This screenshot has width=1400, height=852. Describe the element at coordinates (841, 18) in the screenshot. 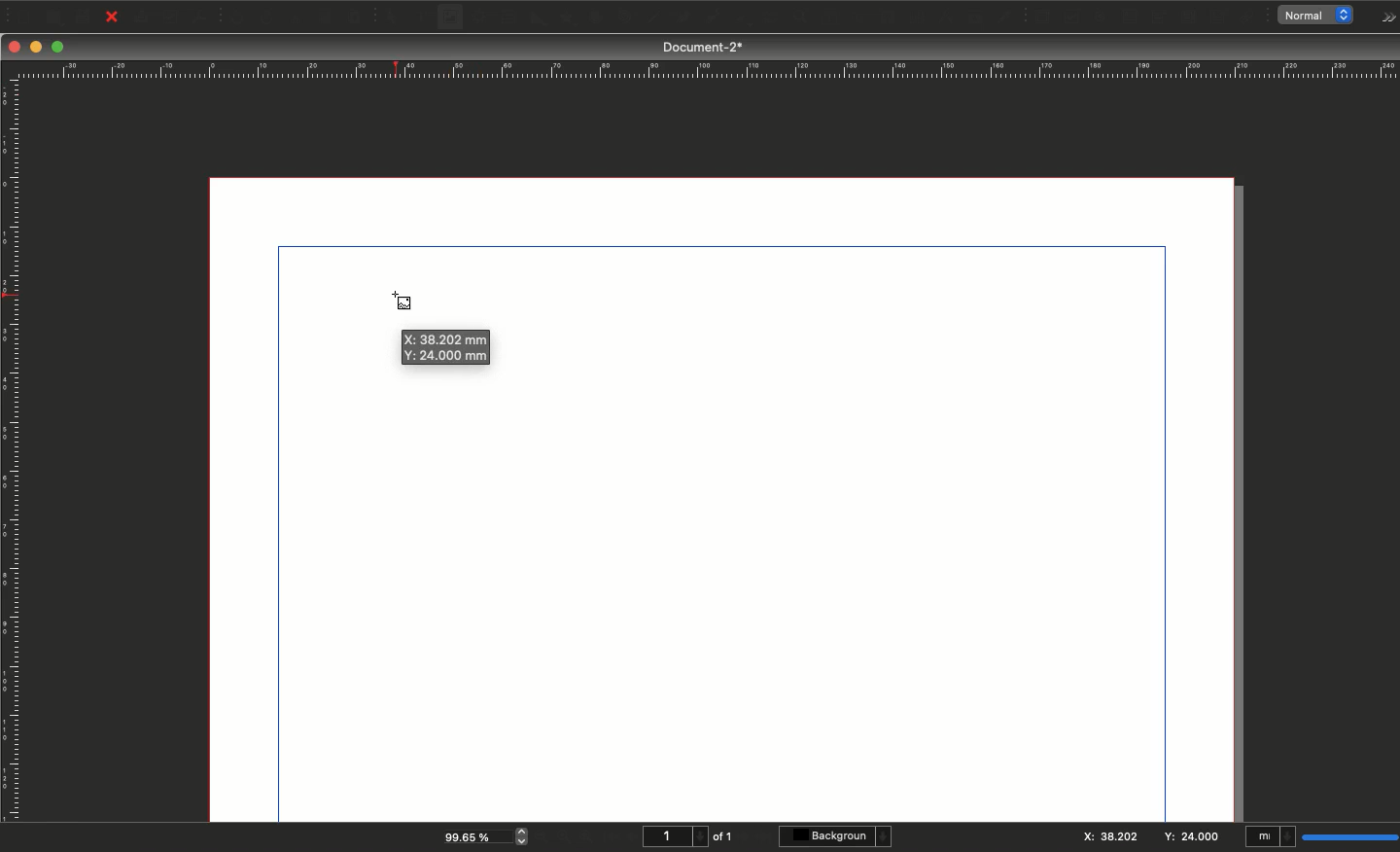

I see `Edit text with story editor` at that location.